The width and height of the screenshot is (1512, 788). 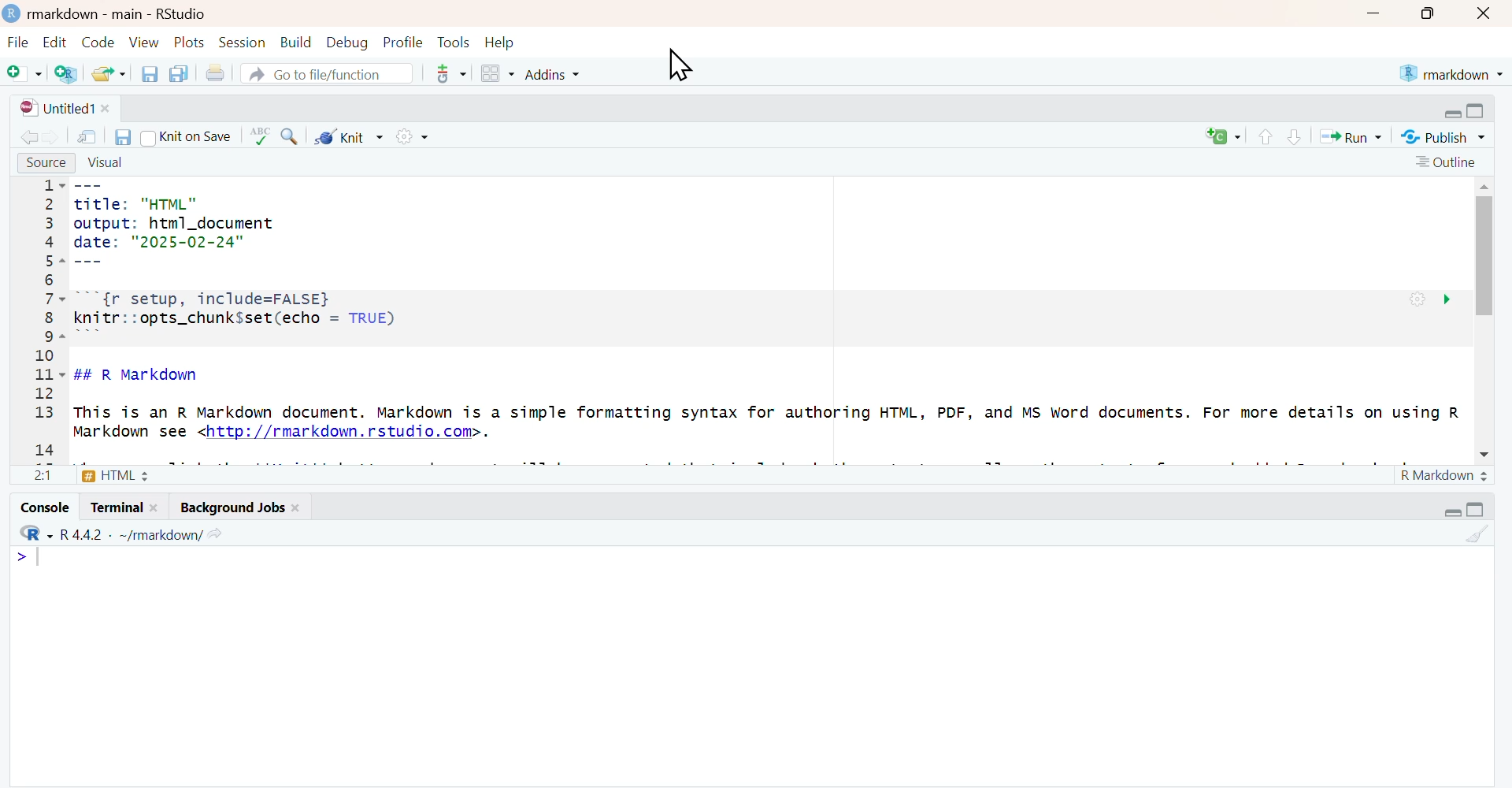 I want to click on git commit, so click(x=449, y=73).